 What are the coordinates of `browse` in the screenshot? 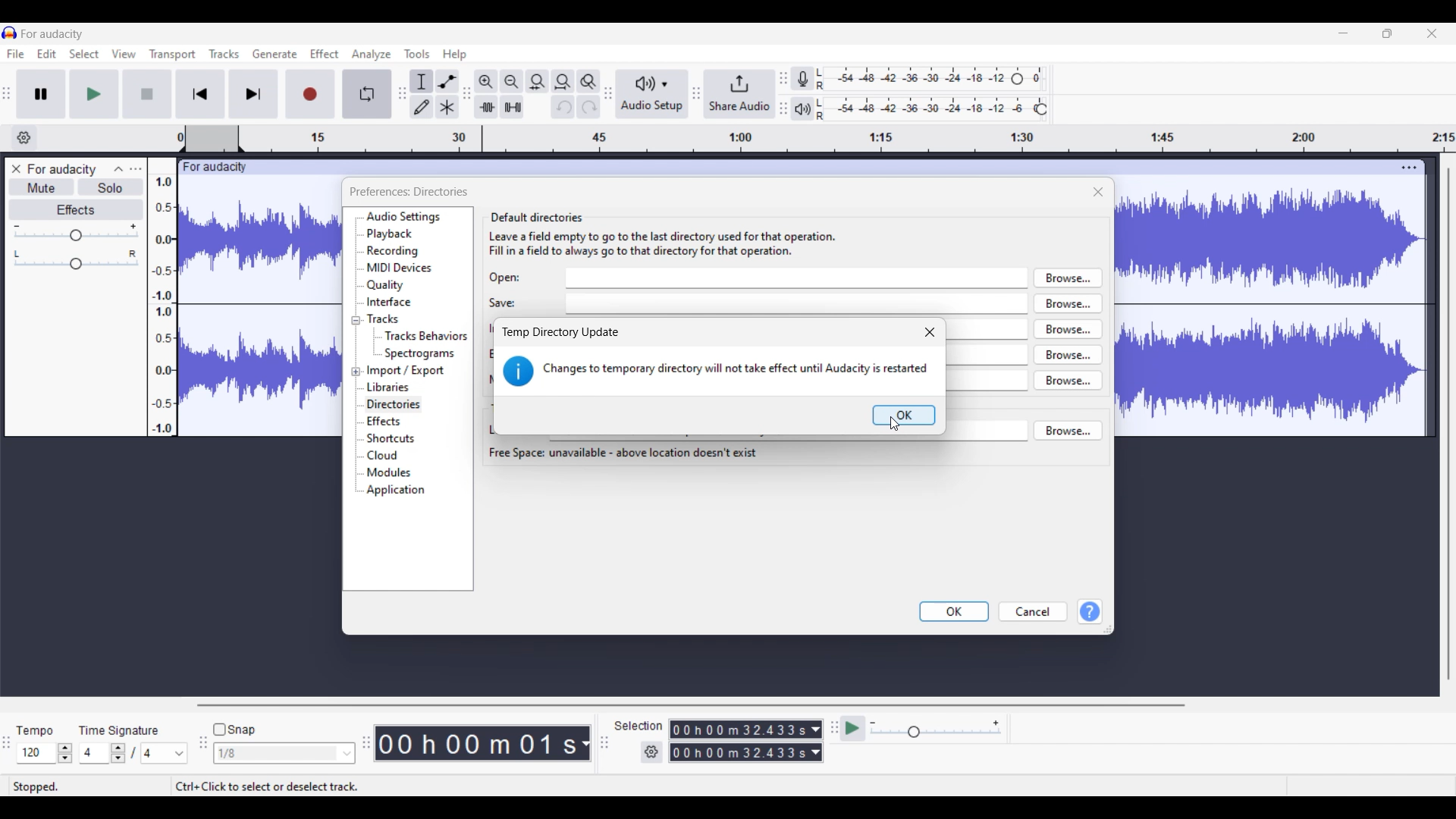 It's located at (1068, 303).